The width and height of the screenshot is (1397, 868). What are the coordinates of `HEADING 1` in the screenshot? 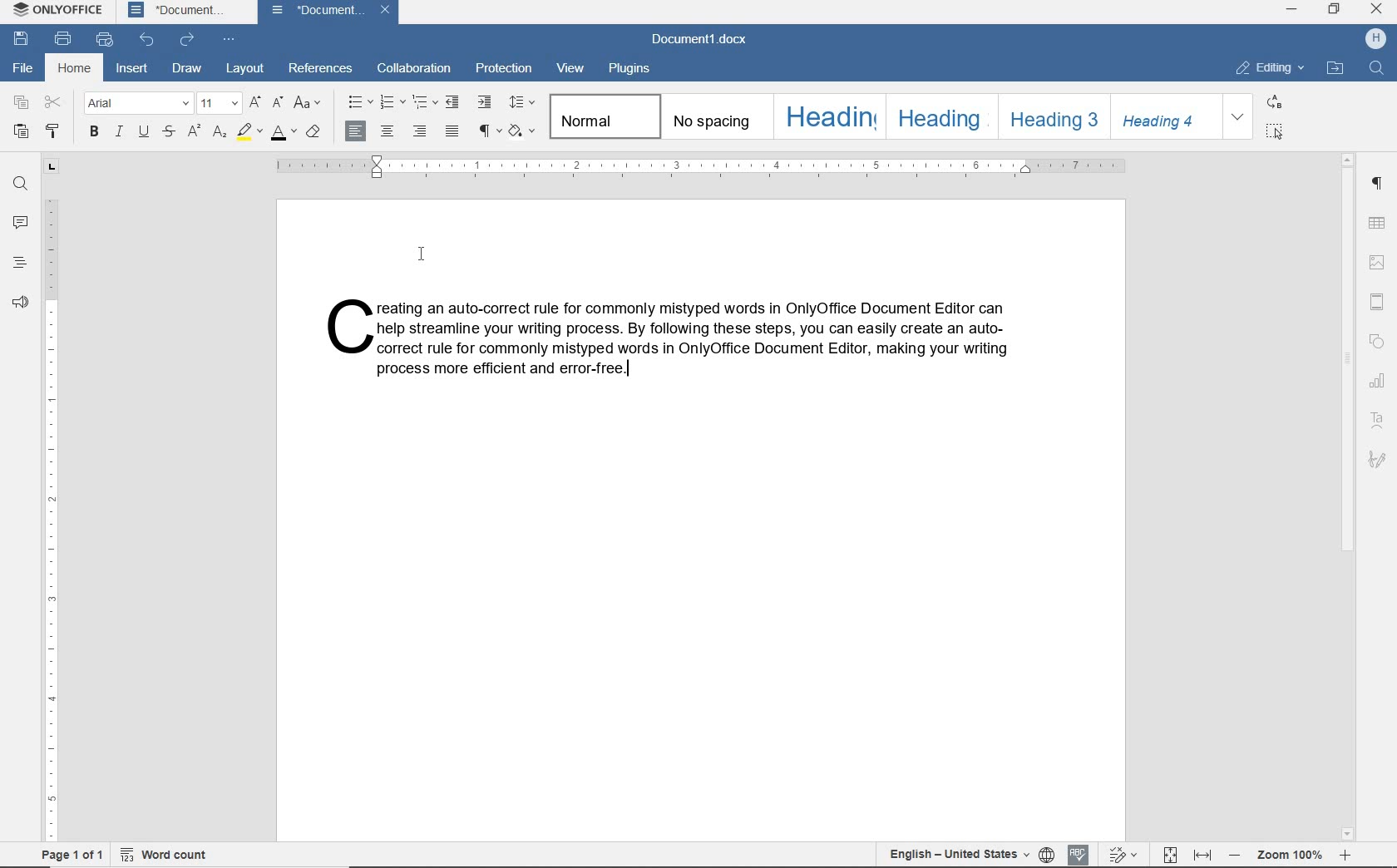 It's located at (827, 117).